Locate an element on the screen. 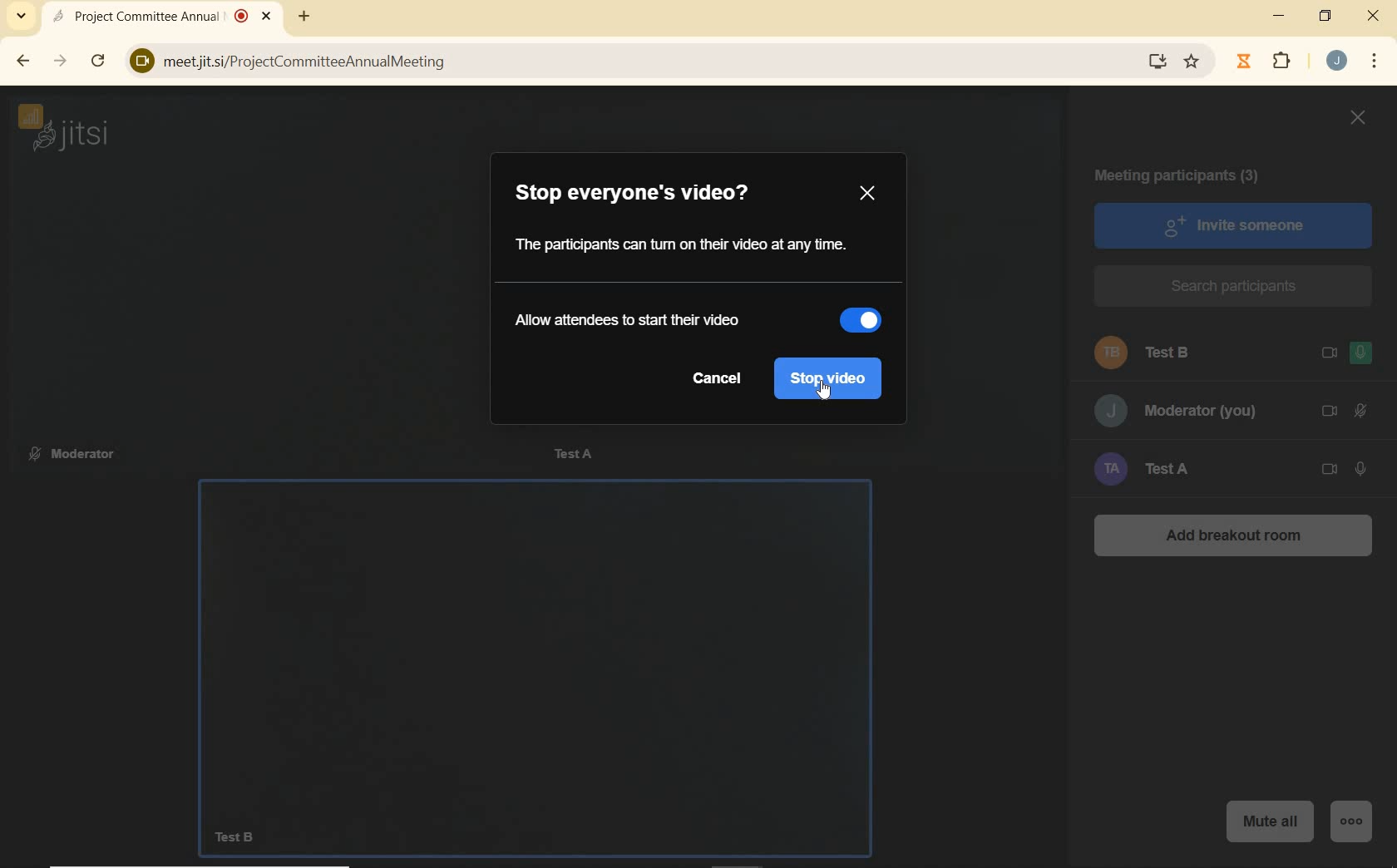 This screenshot has height=868, width=1397. RELOAD is located at coordinates (98, 60).